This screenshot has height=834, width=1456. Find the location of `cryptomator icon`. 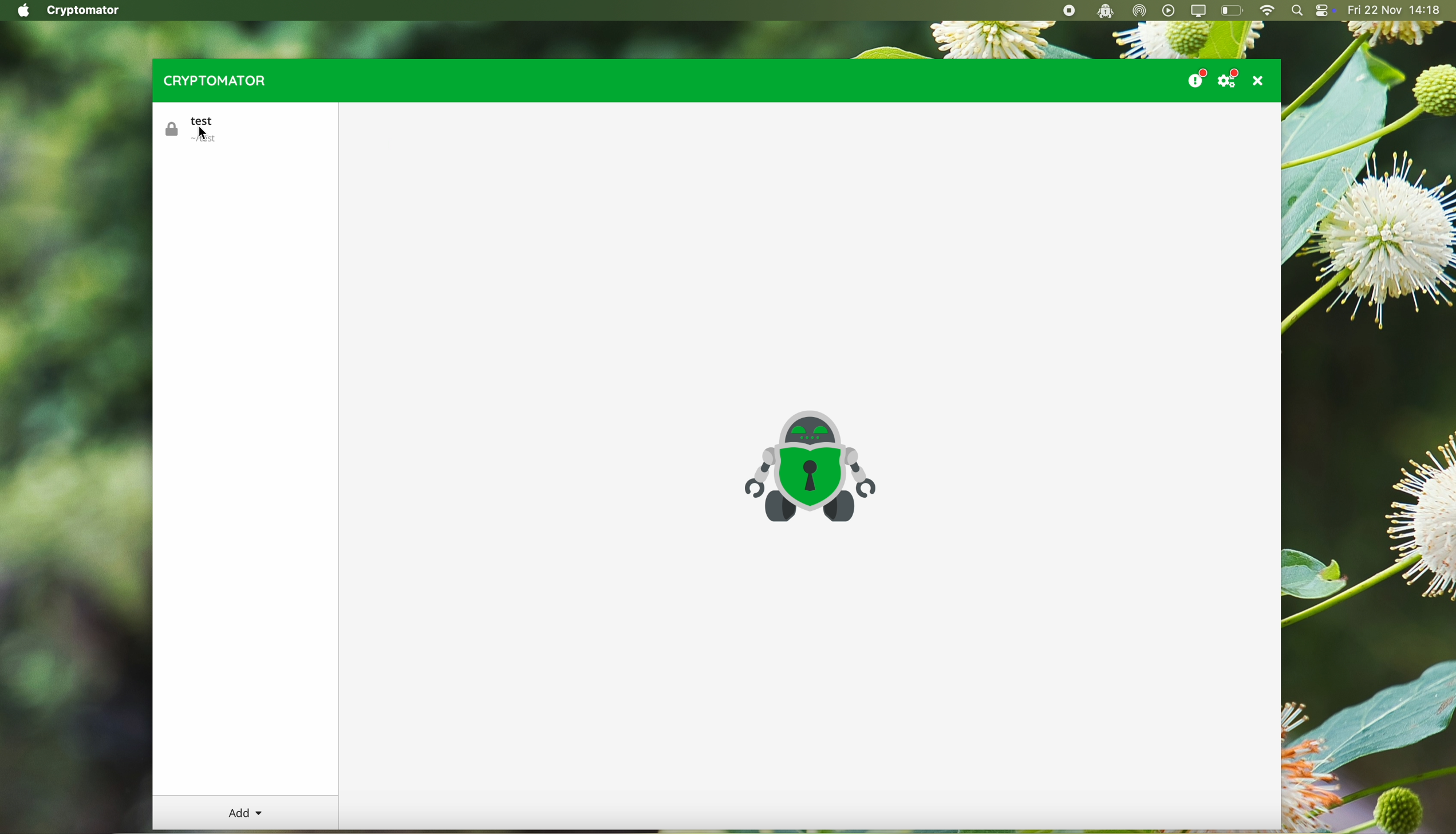

cryptomator icon is located at coordinates (808, 467).